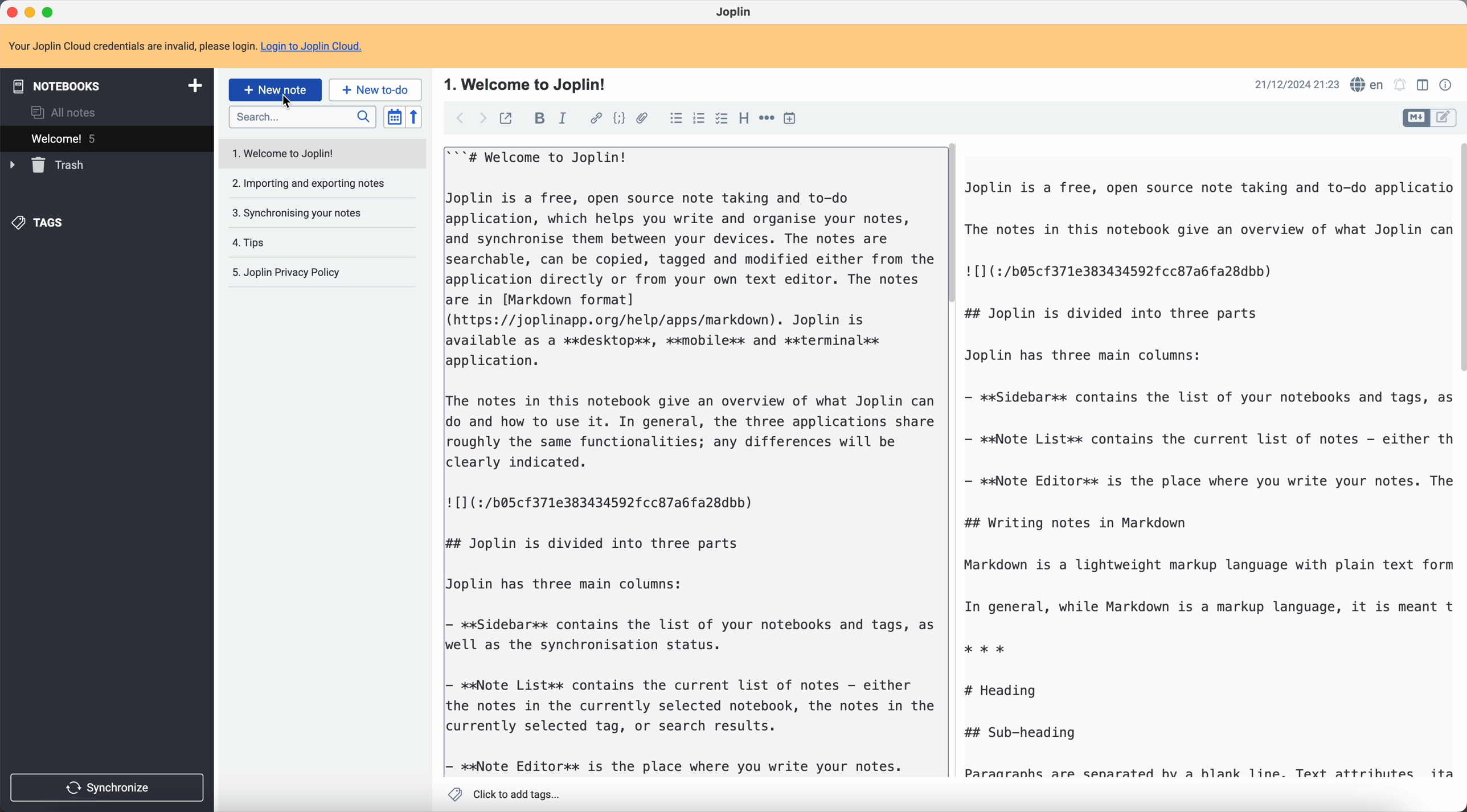 The image size is (1467, 812). Describe the element at coordinates (563, 120) in the screenshot. I see `italic` at that location.